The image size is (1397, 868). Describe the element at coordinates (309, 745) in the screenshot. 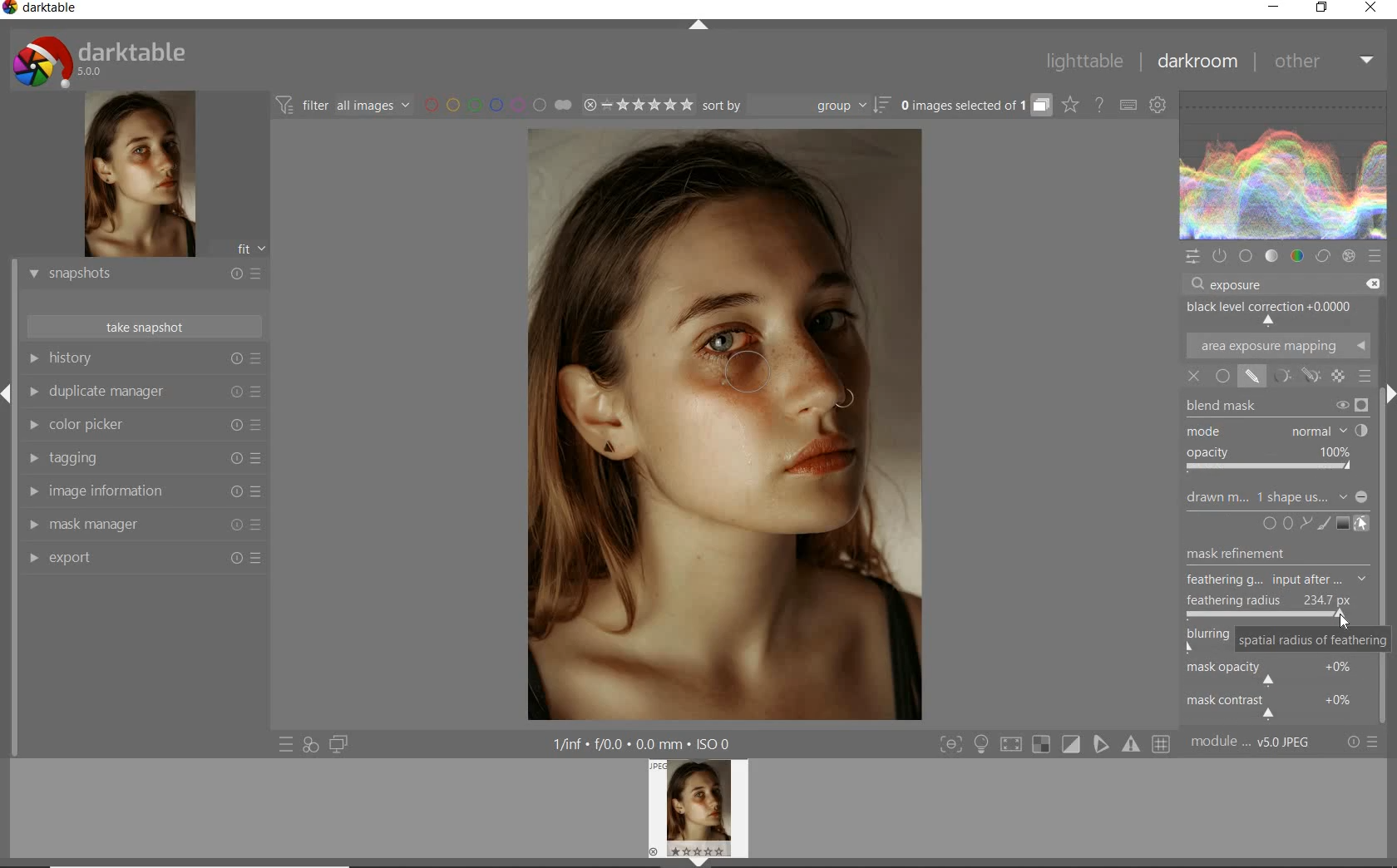

I see `quick access for applying any of your styles` at that location.